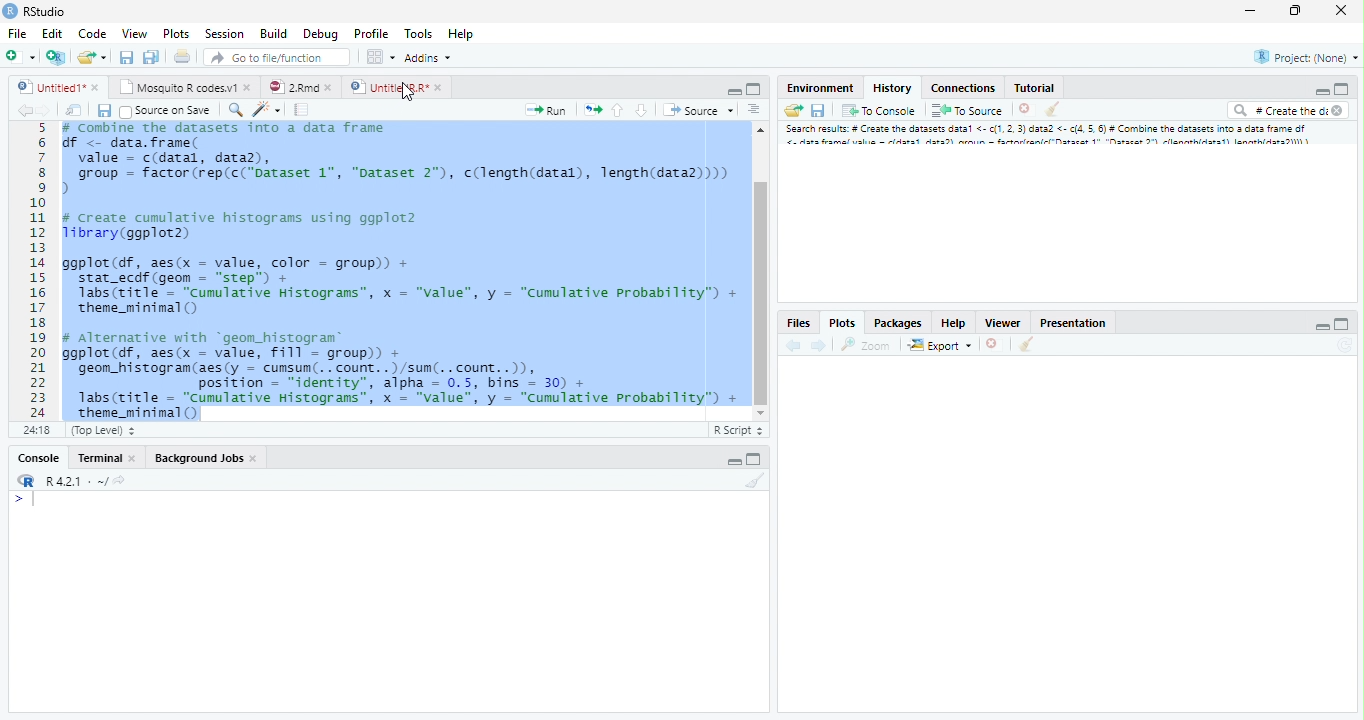 The height and width of the screenshot is (720, 1364). Describe the element at coordinates (1069, 321) in the screenshot. I see `Prsentation` at that location.